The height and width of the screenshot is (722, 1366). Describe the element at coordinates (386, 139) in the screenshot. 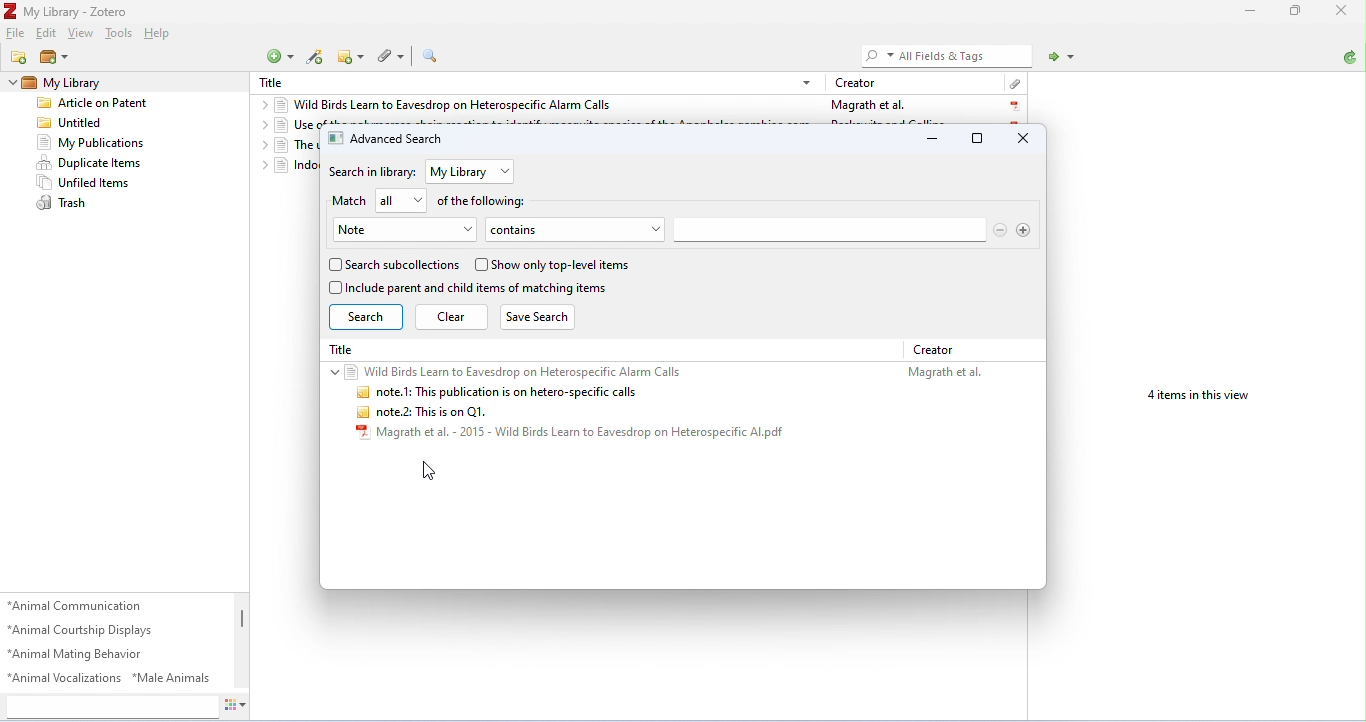

I see `advanced search` at that location.